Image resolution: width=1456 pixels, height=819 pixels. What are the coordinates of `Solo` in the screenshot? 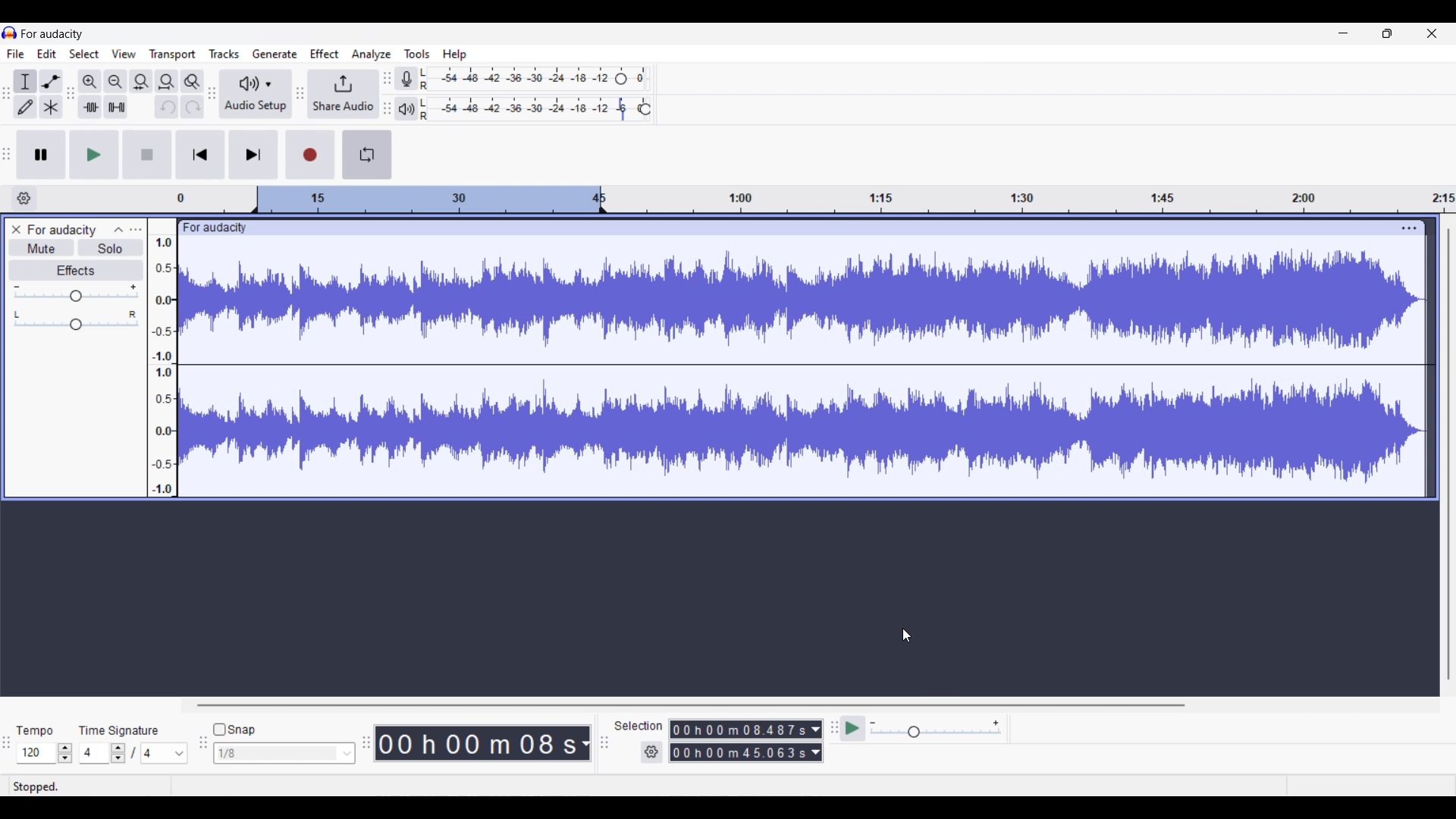 It's located at (111, 247).